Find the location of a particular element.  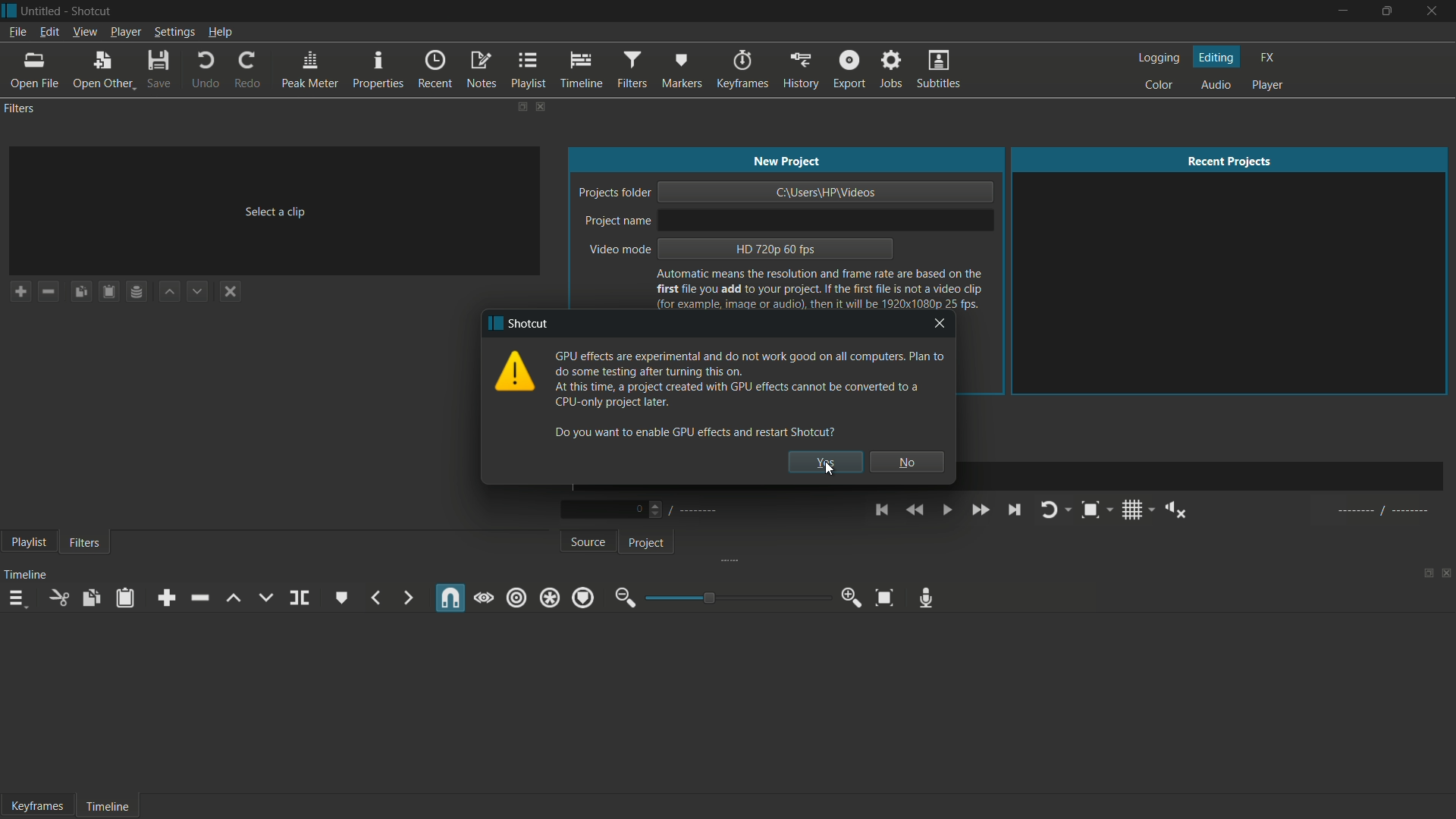

help menu is located at coordinates (221, 33).